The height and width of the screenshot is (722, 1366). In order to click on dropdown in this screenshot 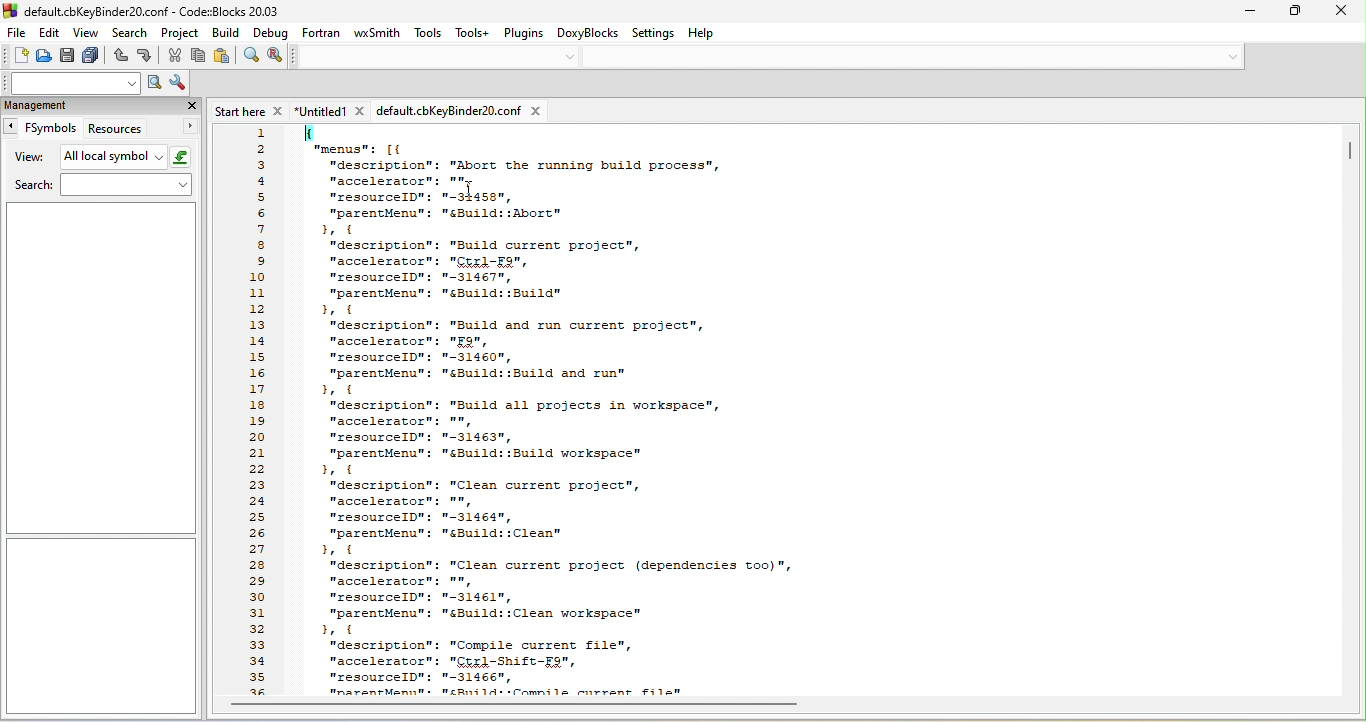, I will do `click(570, 57)`.